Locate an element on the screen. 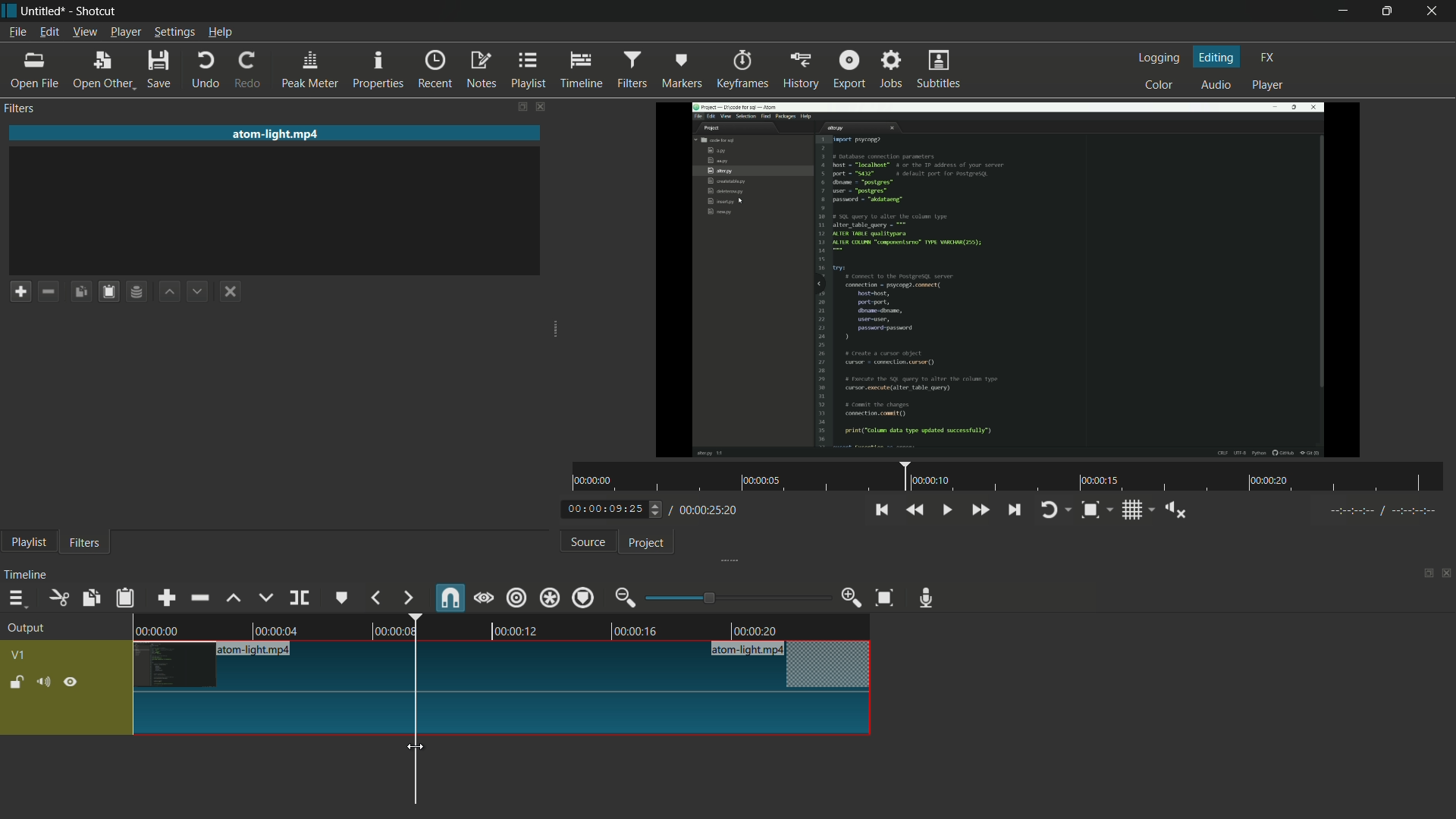 The width and height of the screenshot is (1456, 819). imported file name is located at coordinates (277, 133).